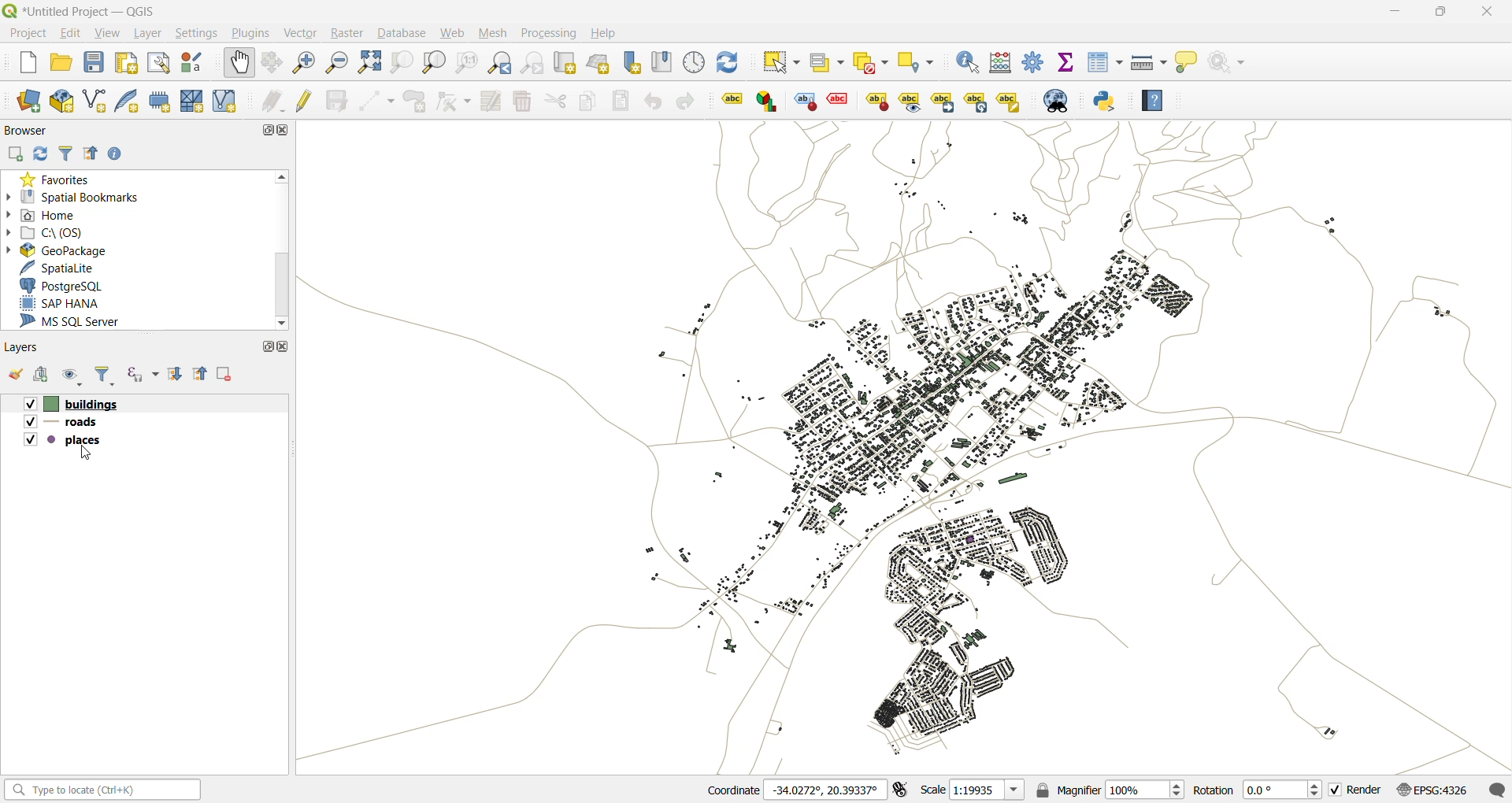 Image resolution: width=1512 pixels, height=803 pixels. What do you see at coordinates (335, 61) in the screenshot?
I see `zoom out` at bounding box center [335, 61].